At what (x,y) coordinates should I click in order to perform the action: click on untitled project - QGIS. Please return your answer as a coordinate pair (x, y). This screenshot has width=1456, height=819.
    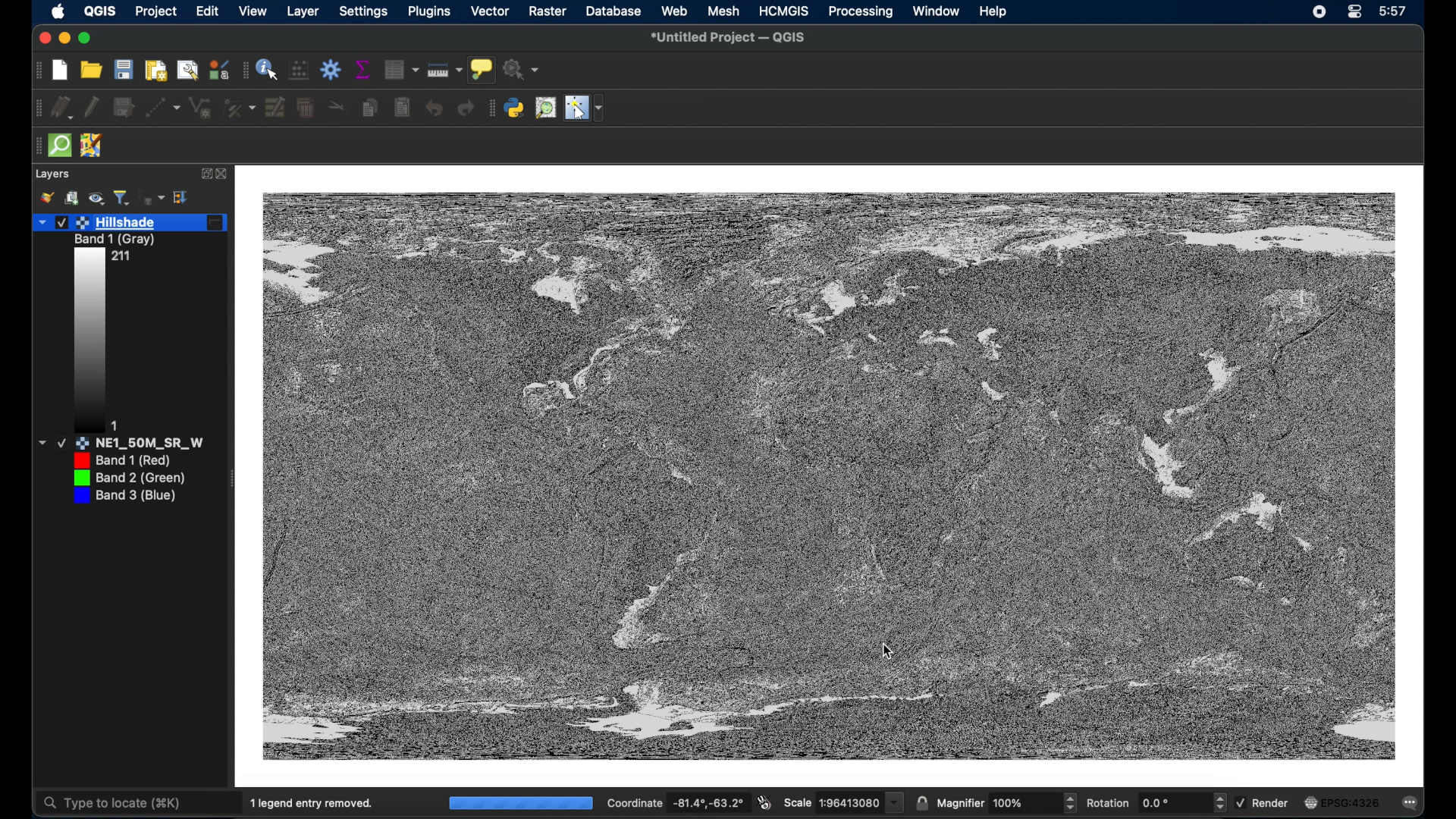
    Looking at the image, I should click on (732, 38).